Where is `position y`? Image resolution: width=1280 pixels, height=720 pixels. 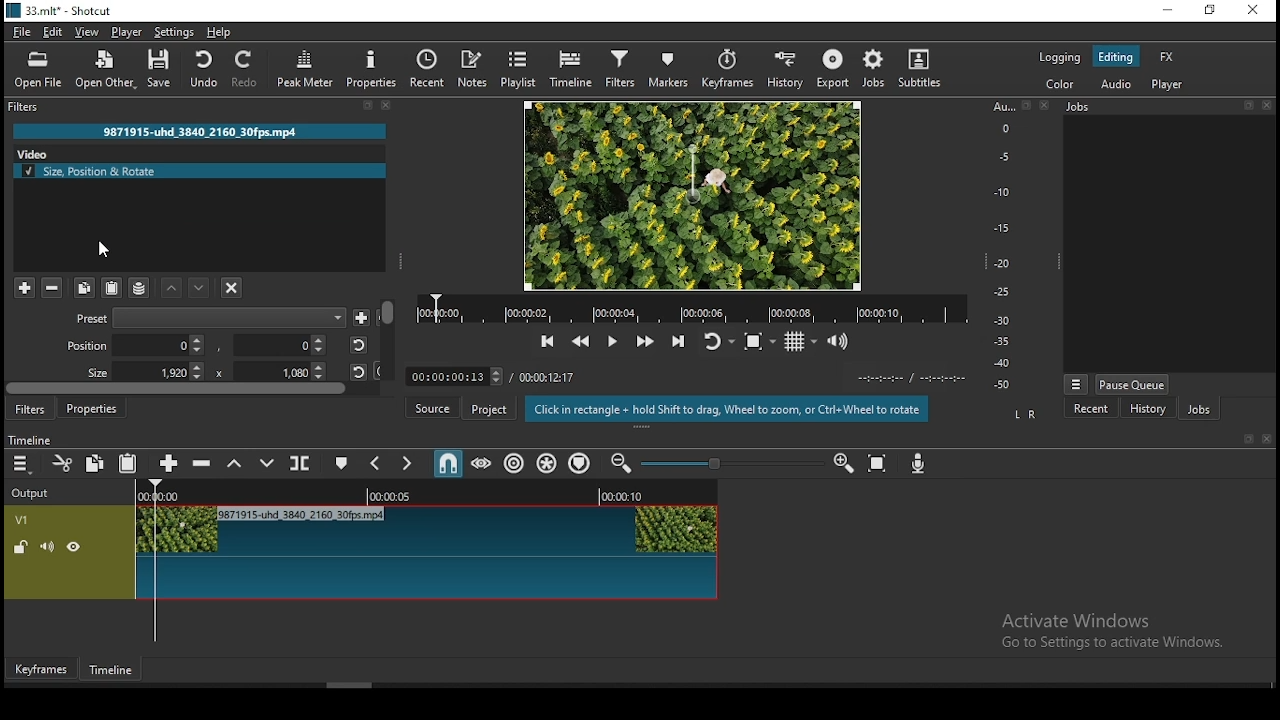 position y is located at coordinates (279, 345).